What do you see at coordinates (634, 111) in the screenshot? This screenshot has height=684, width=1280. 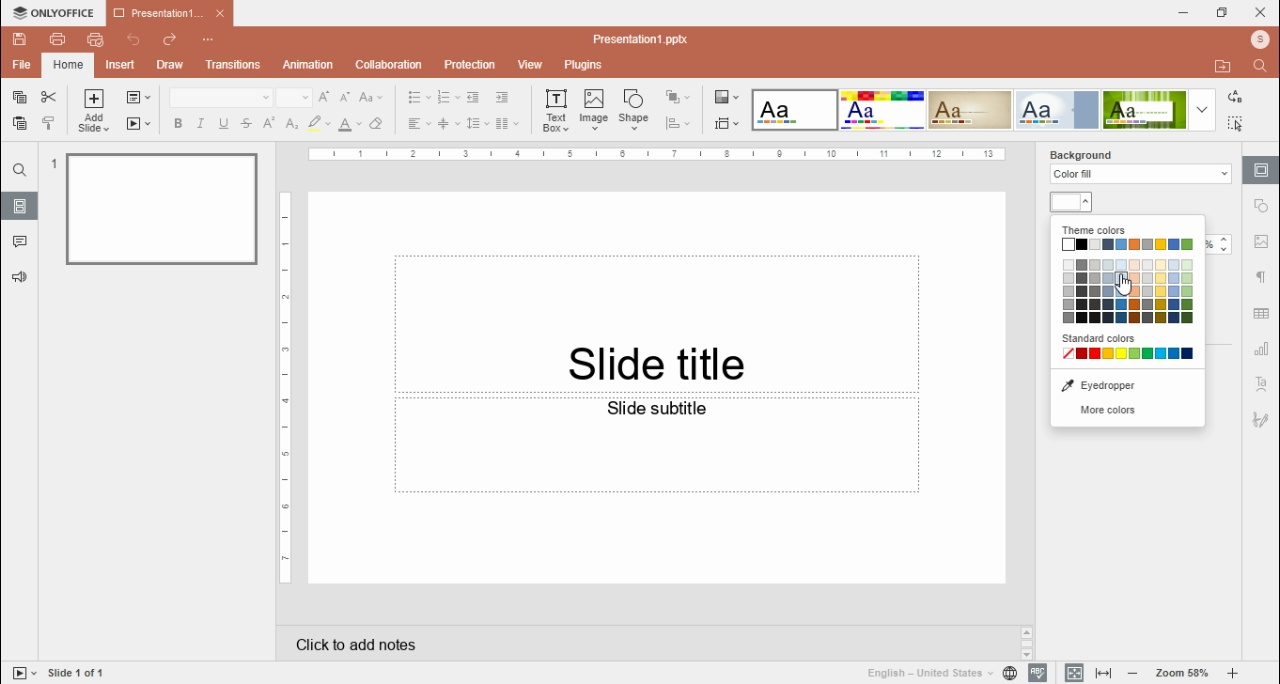 I see `shape` at bounding box center [634, 111].